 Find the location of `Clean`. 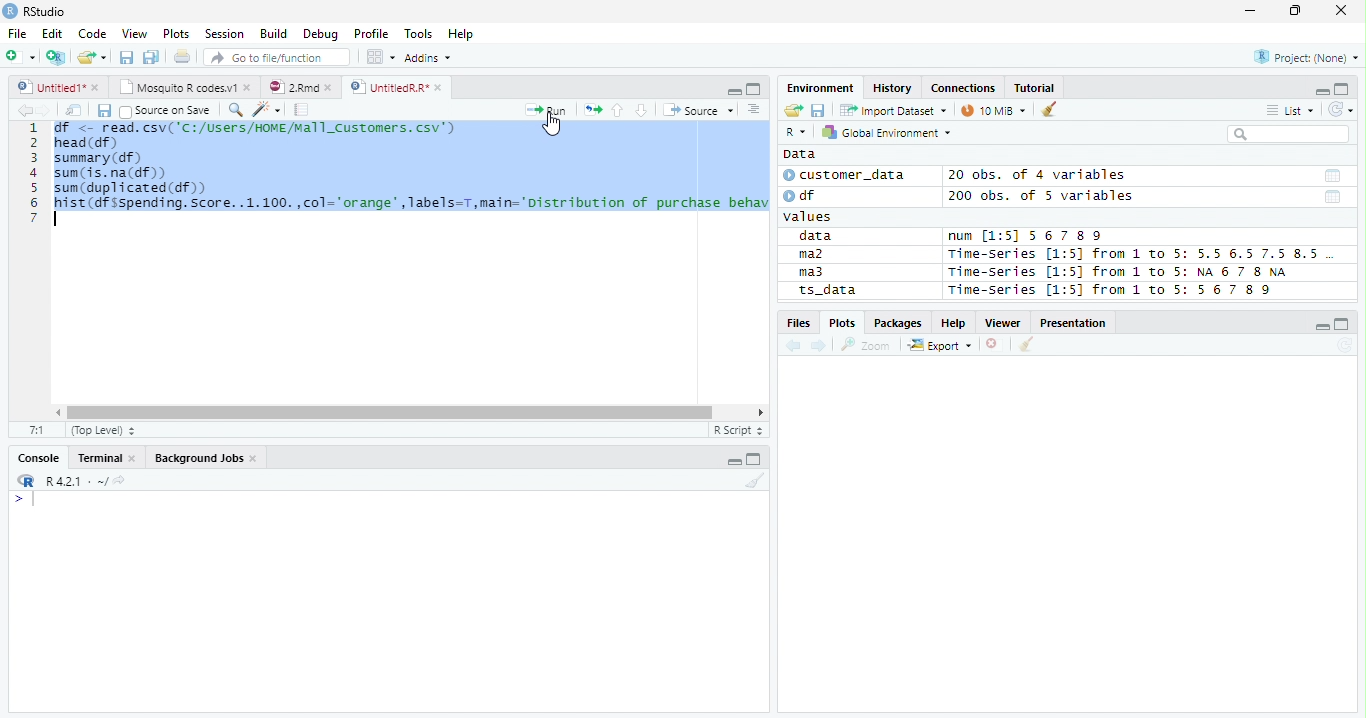

Clean is located at coordinates (1027, 344).